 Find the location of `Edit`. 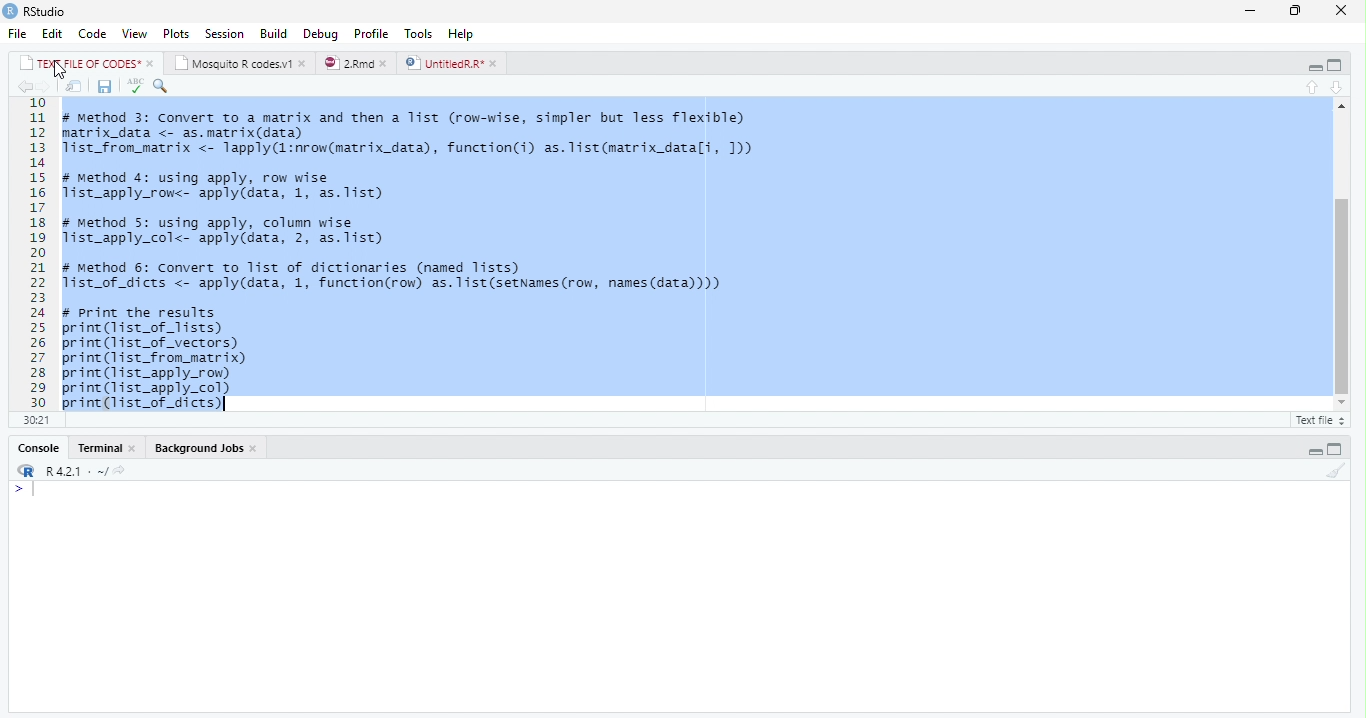

Edit is located at coordinates (54, 33).